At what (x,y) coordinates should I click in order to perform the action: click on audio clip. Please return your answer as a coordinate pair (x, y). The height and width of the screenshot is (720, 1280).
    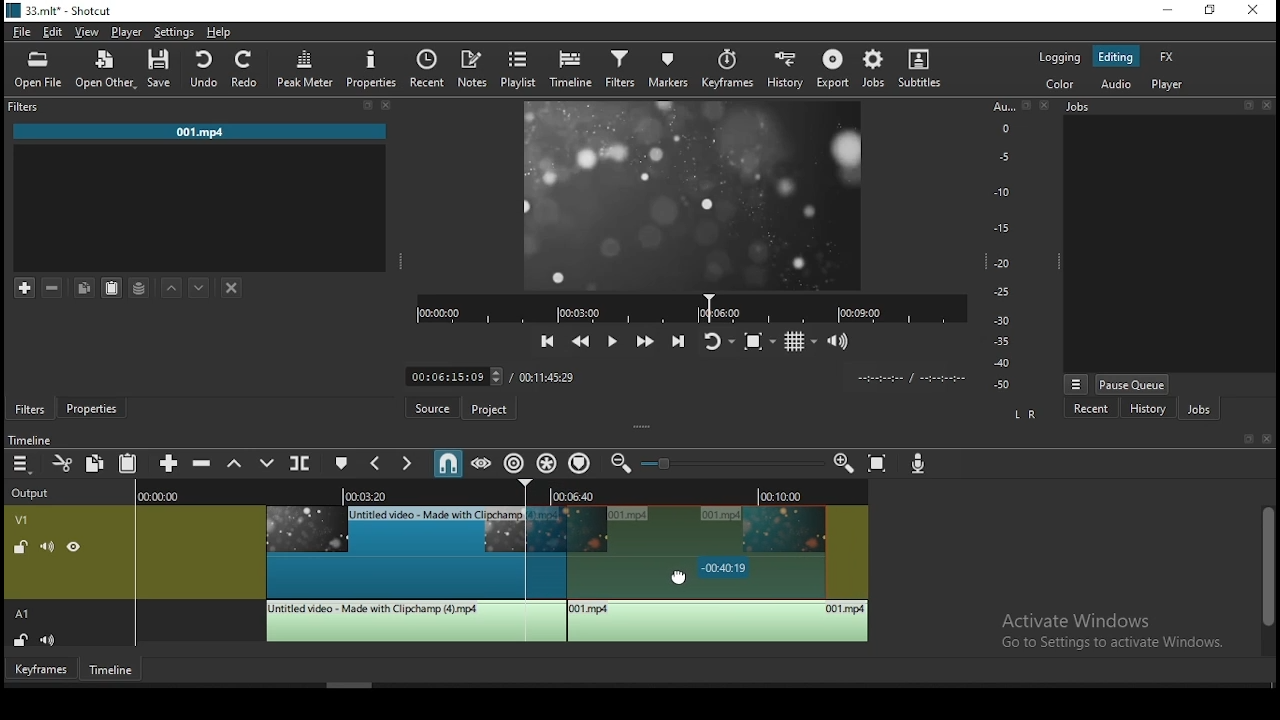
    Looking at the image, I should click on (719, 622).